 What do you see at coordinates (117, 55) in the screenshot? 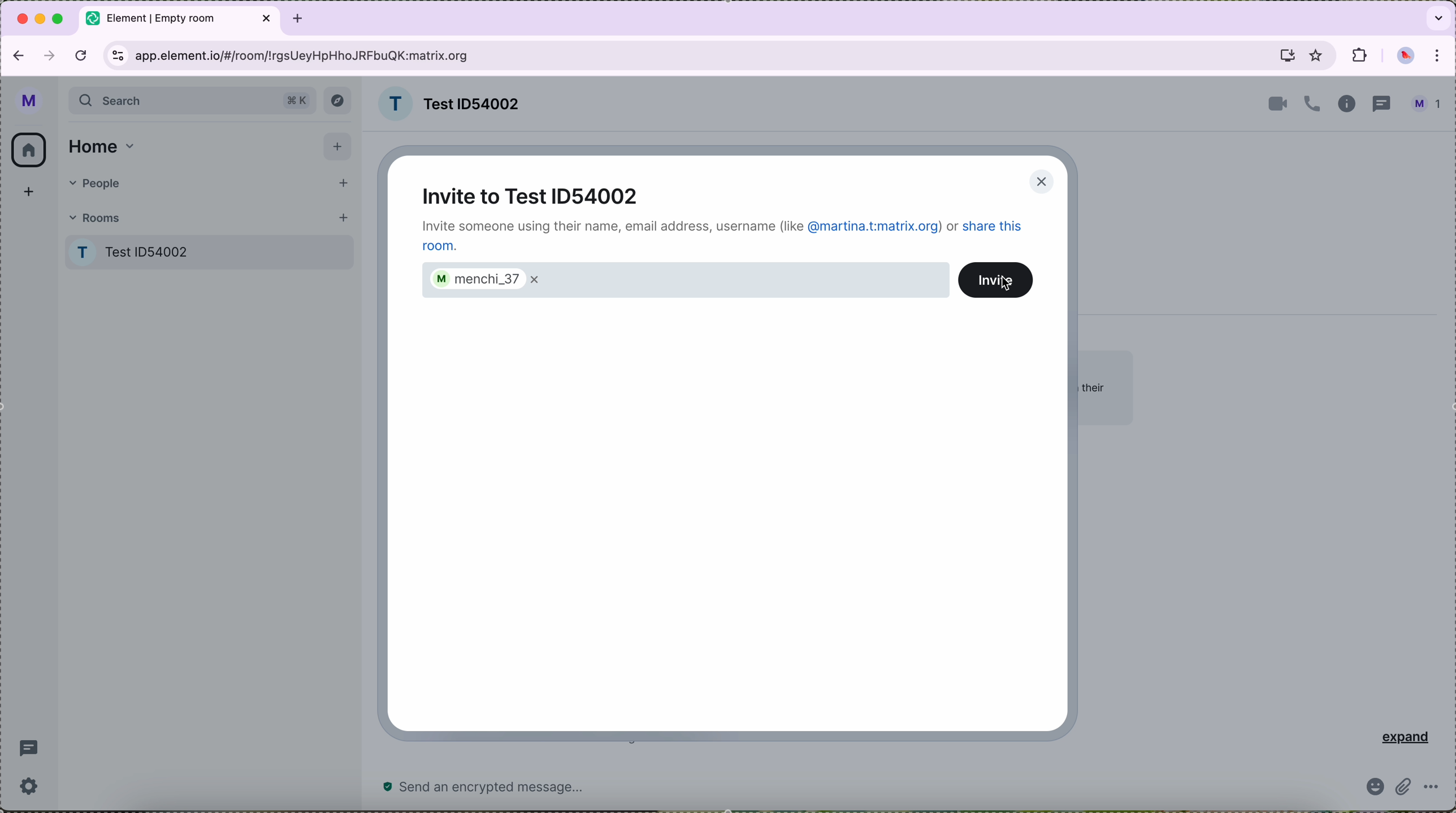
I see `controls` at bounding box center [117, 55].